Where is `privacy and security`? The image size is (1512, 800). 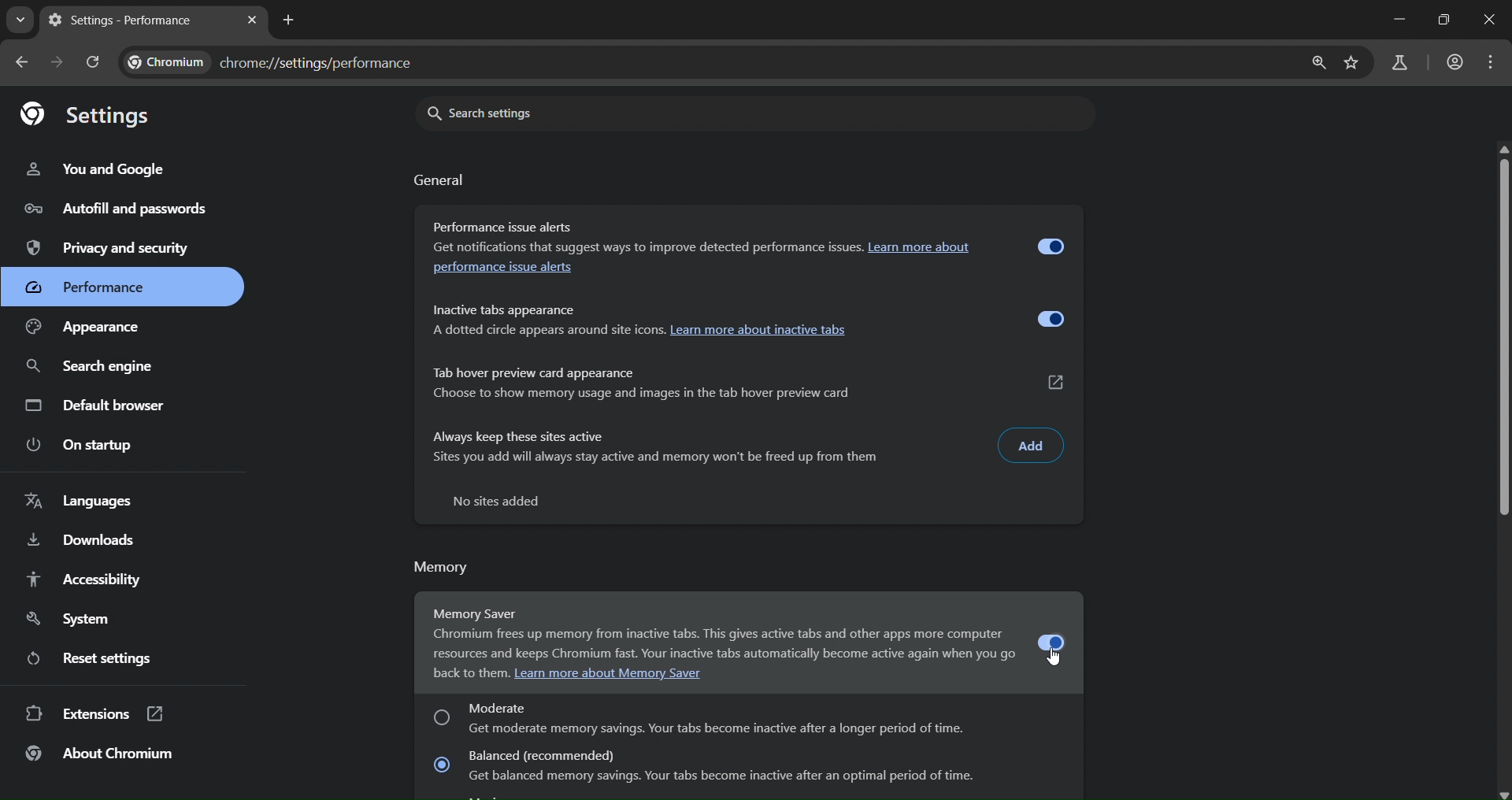
privacy and security is located at coordinates (109, 247).